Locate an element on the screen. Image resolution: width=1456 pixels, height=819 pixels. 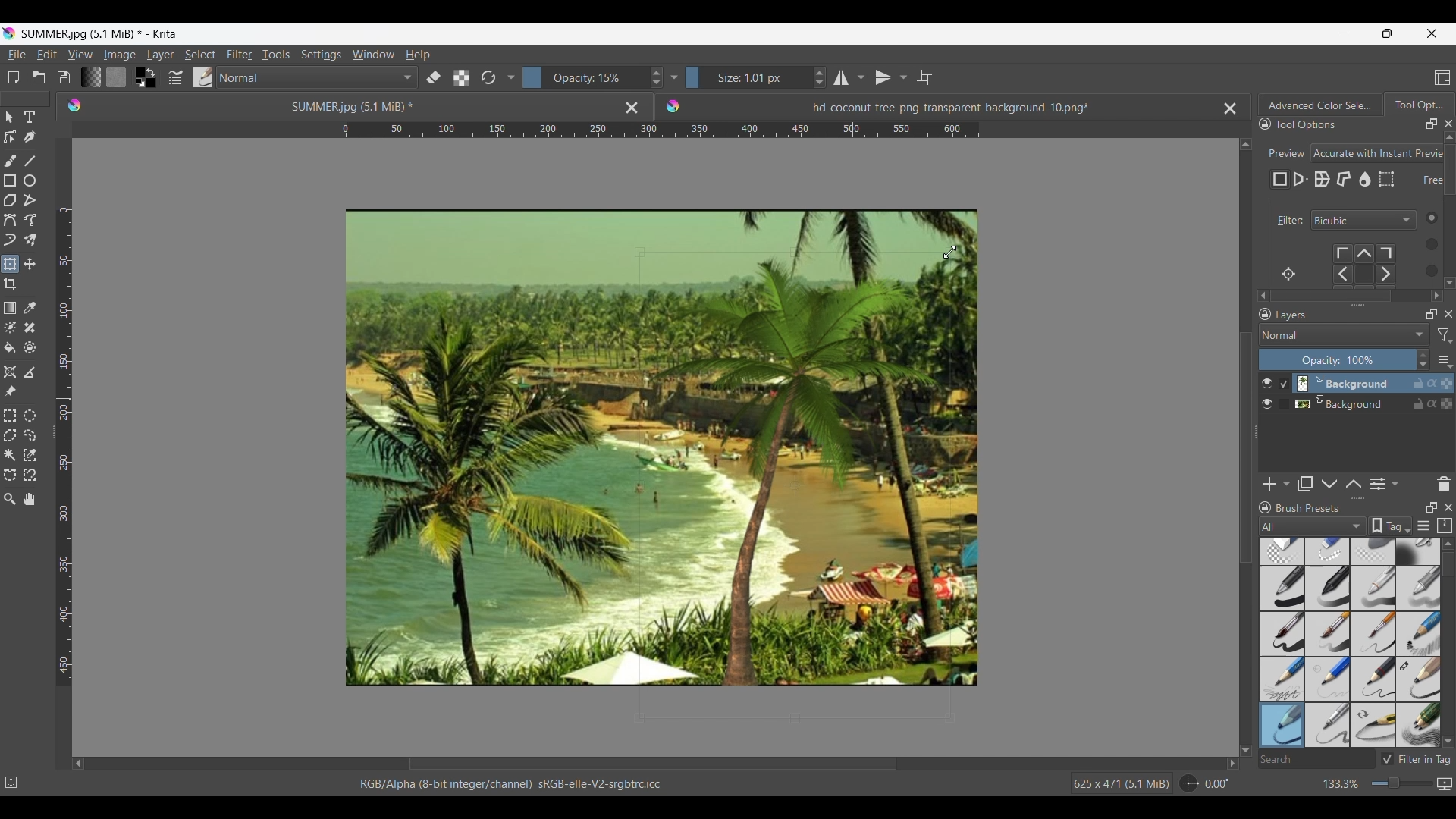
Transform tool is located at coordinates (9, 264).